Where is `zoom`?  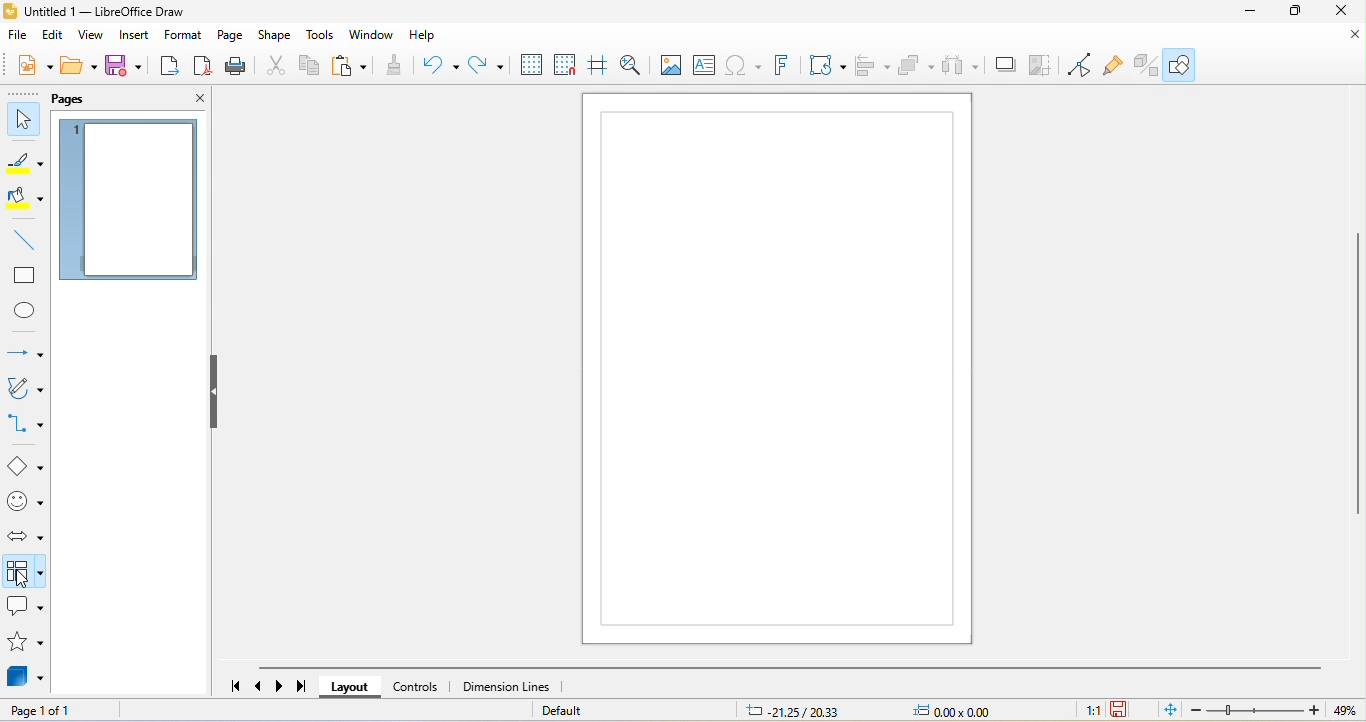
zoom is located at coordinates (1257, 709).